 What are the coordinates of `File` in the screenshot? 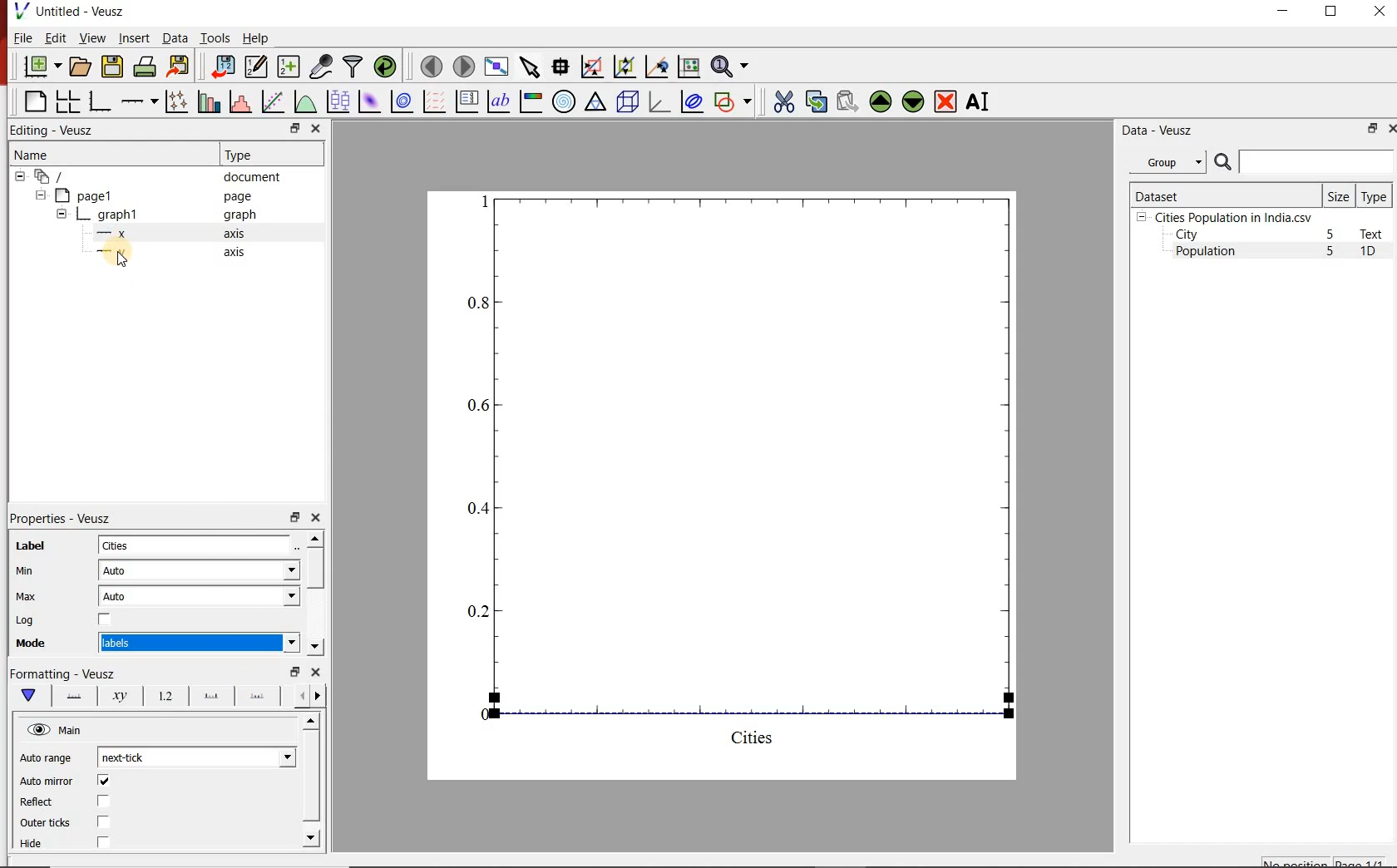 It's located at (23, 37).